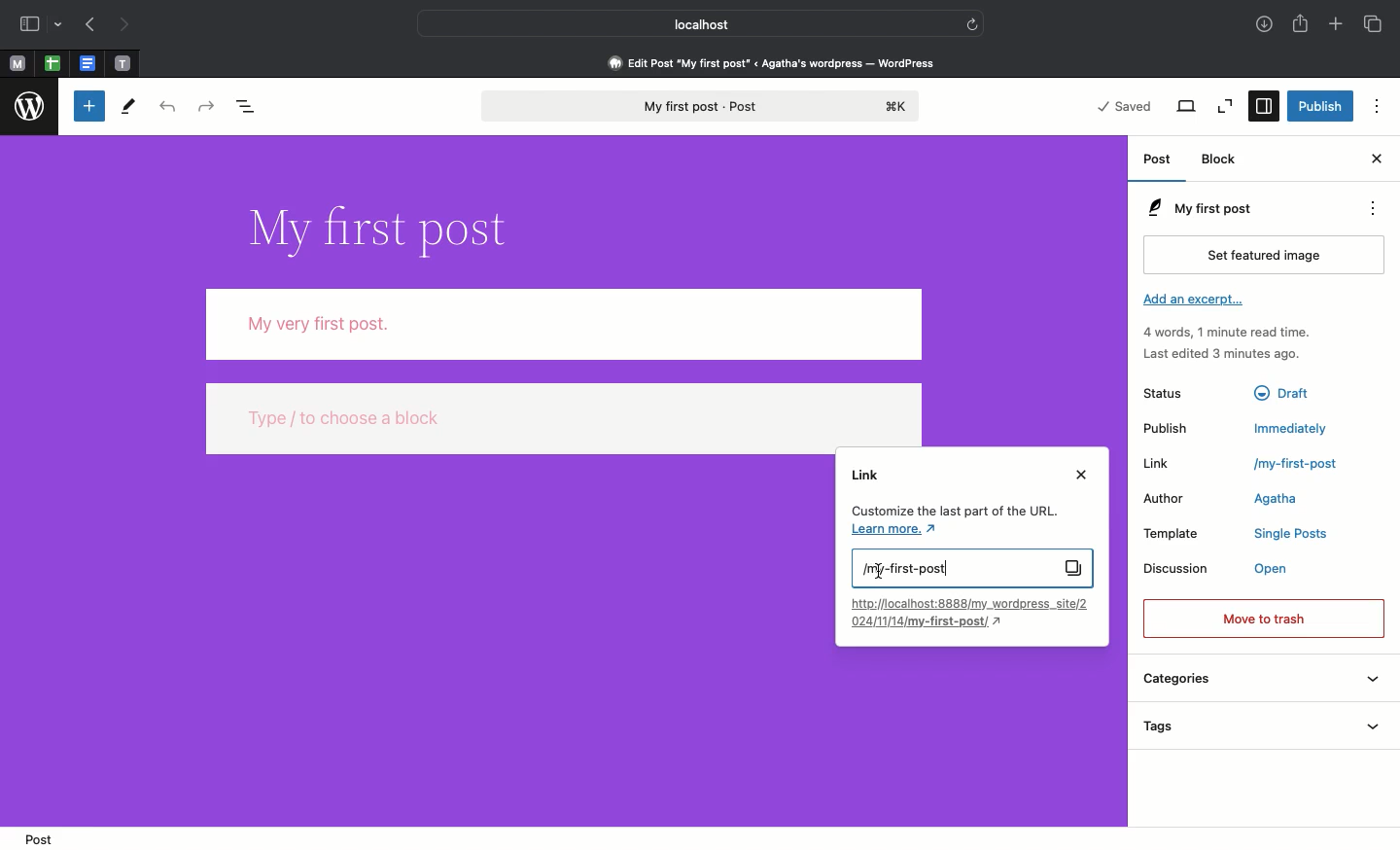  Describe the element at coordinates (565, 324) in the screenshot. I see `Body` at that location.